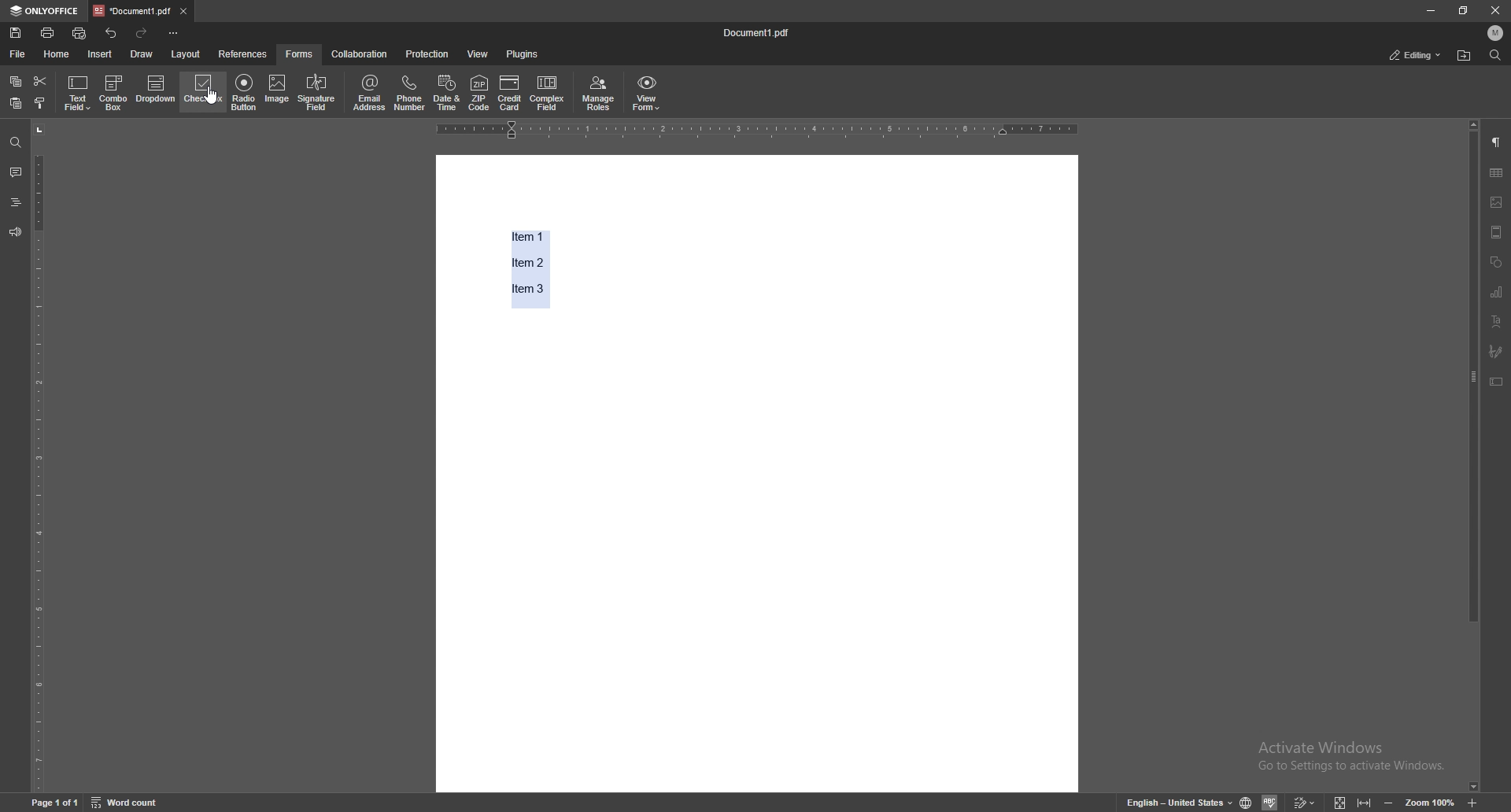  Describe the element at coordinates (244, 91) in the screenshot. I see `radio button` at that location.